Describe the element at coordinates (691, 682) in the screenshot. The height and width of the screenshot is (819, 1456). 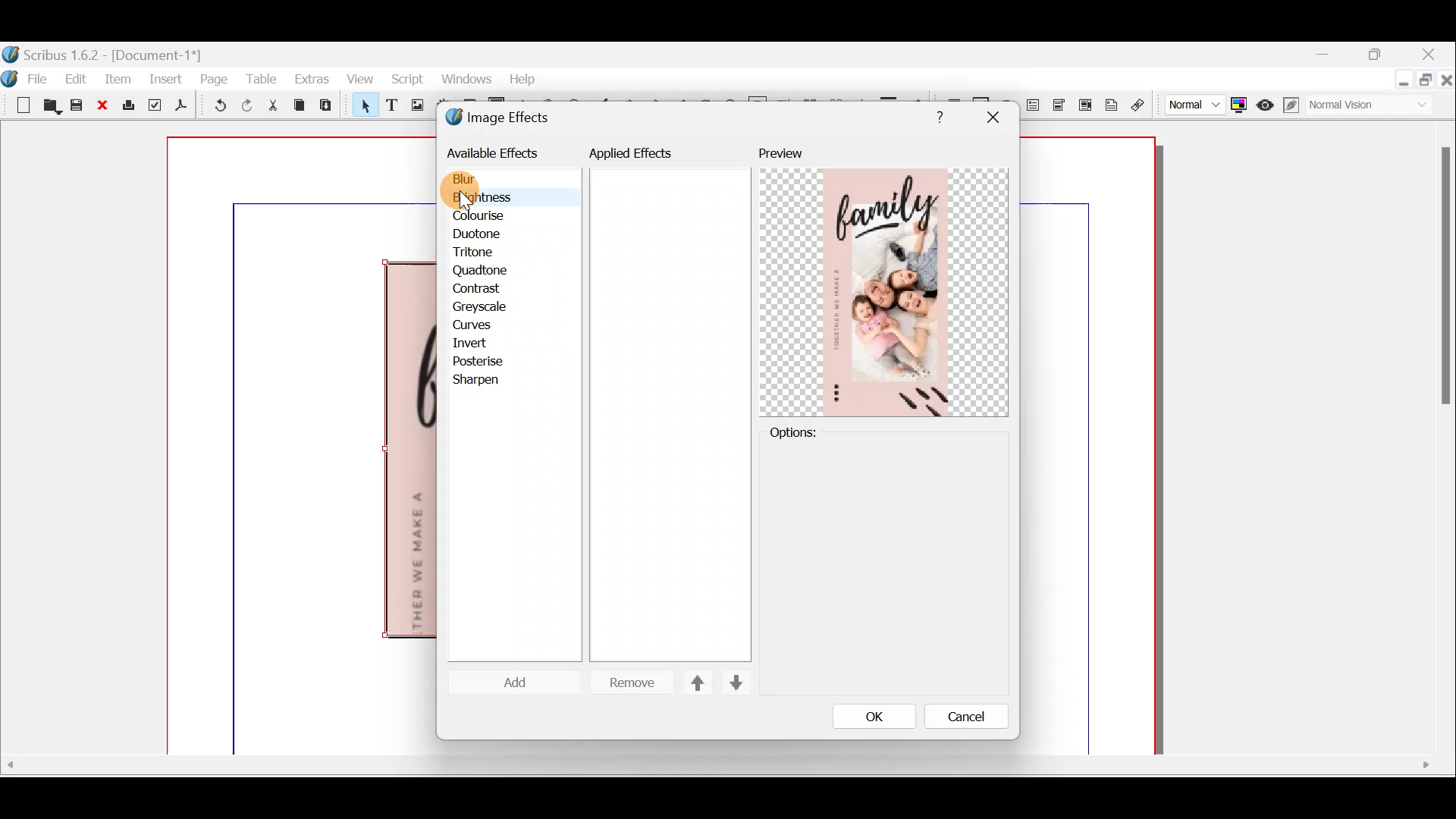
I see `Move up` at that location.